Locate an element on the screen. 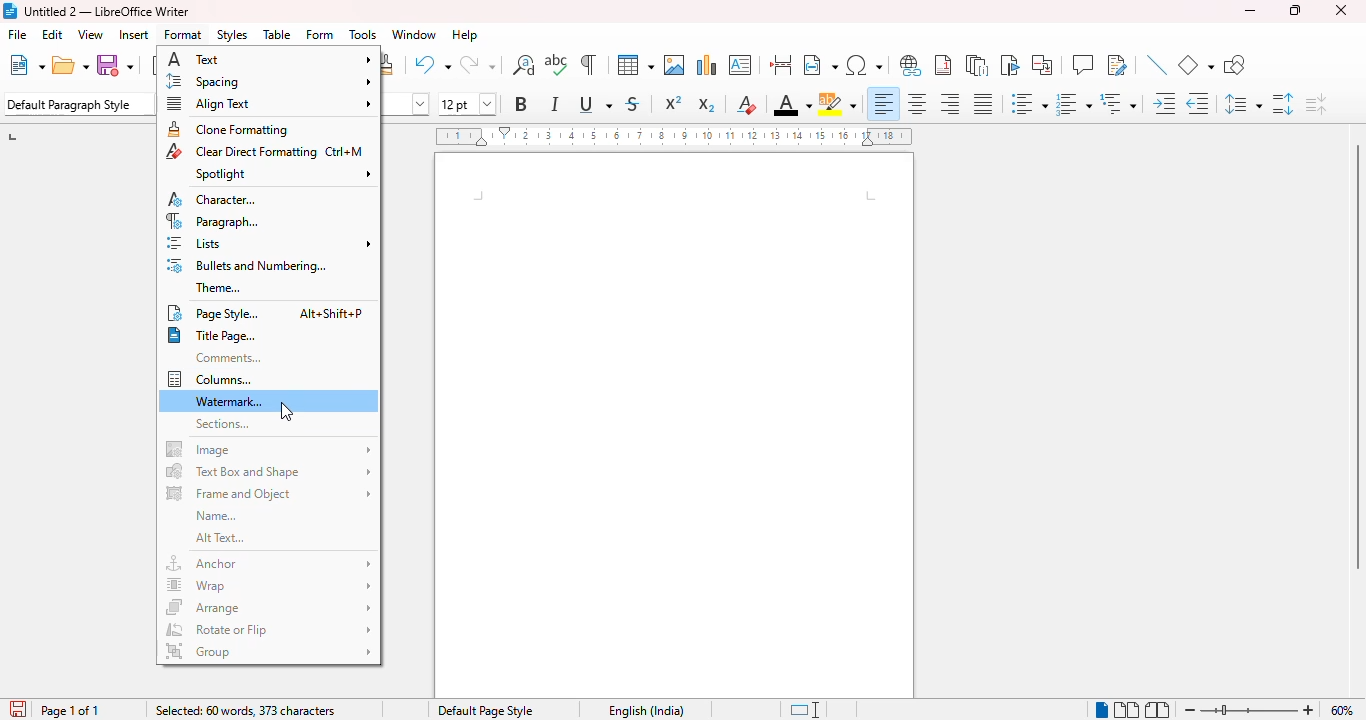 The height and width of the screenshot is (720, 1366). single-page view is located at coordinates (1102, 709).